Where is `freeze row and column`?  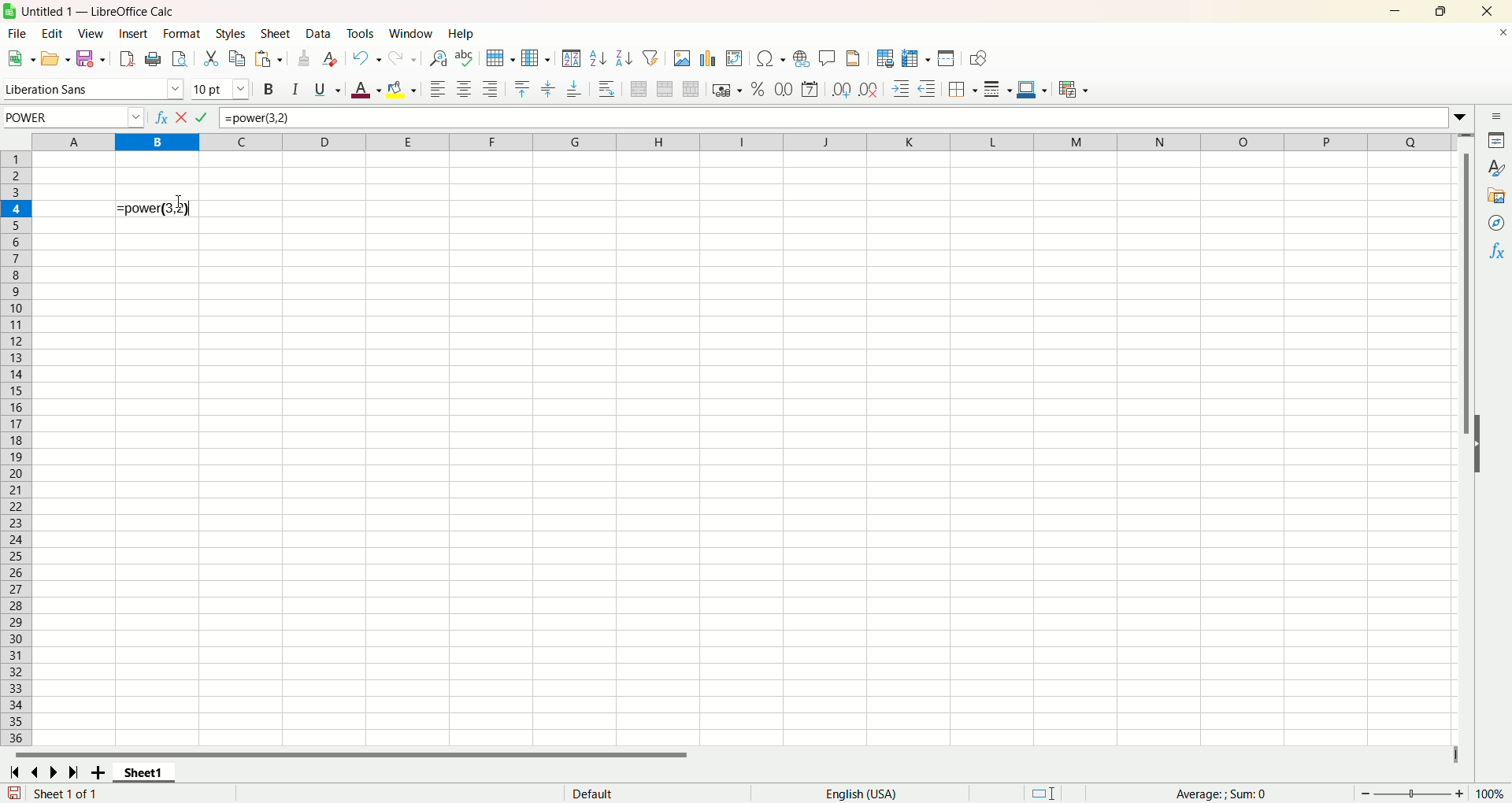 freeze row and column is located at coordinates (916, 58).